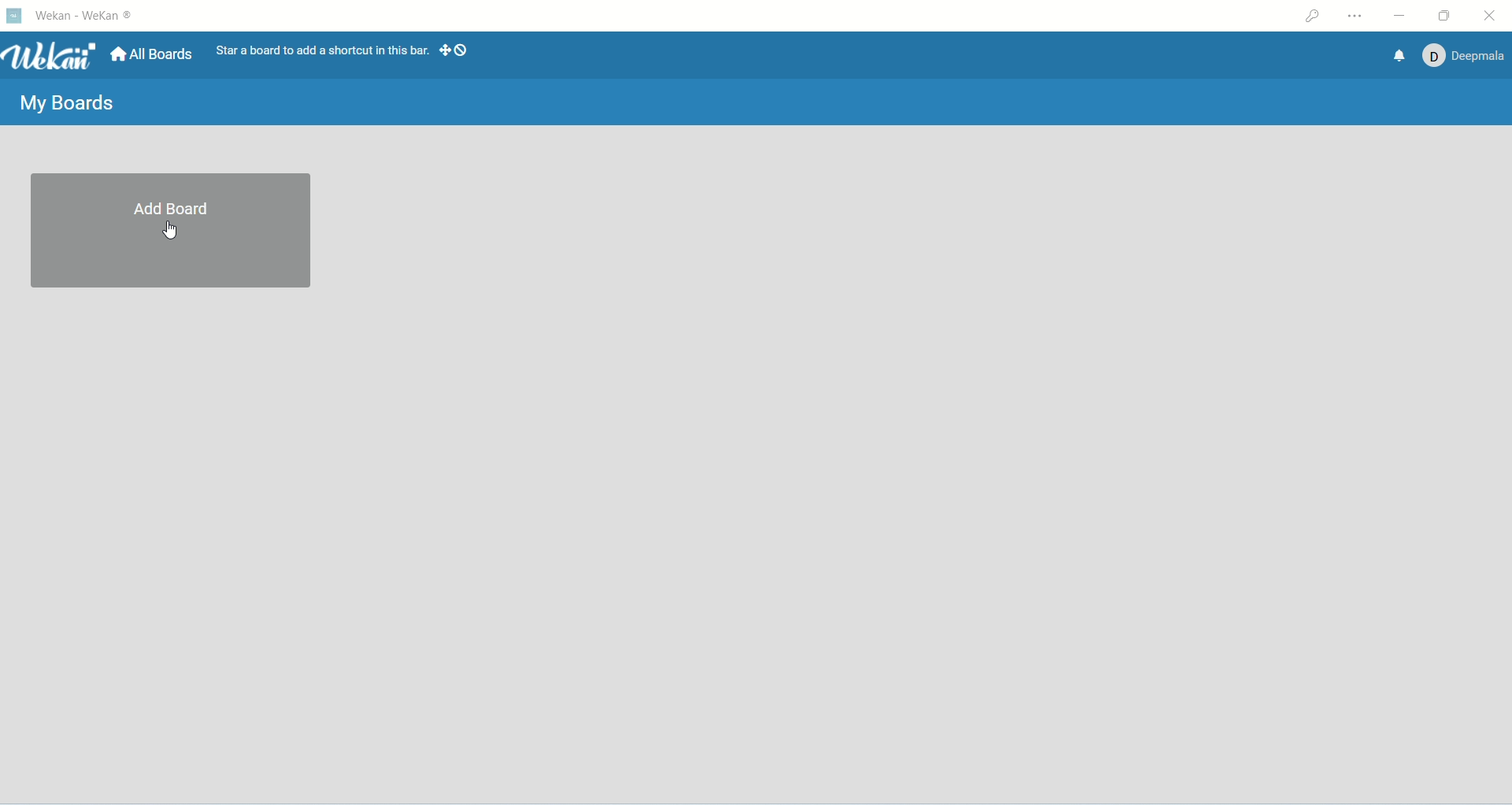  Describe the element at coordinates (442, 52) in the screenshot. I see `show-desktop-drag-handles` at that location.